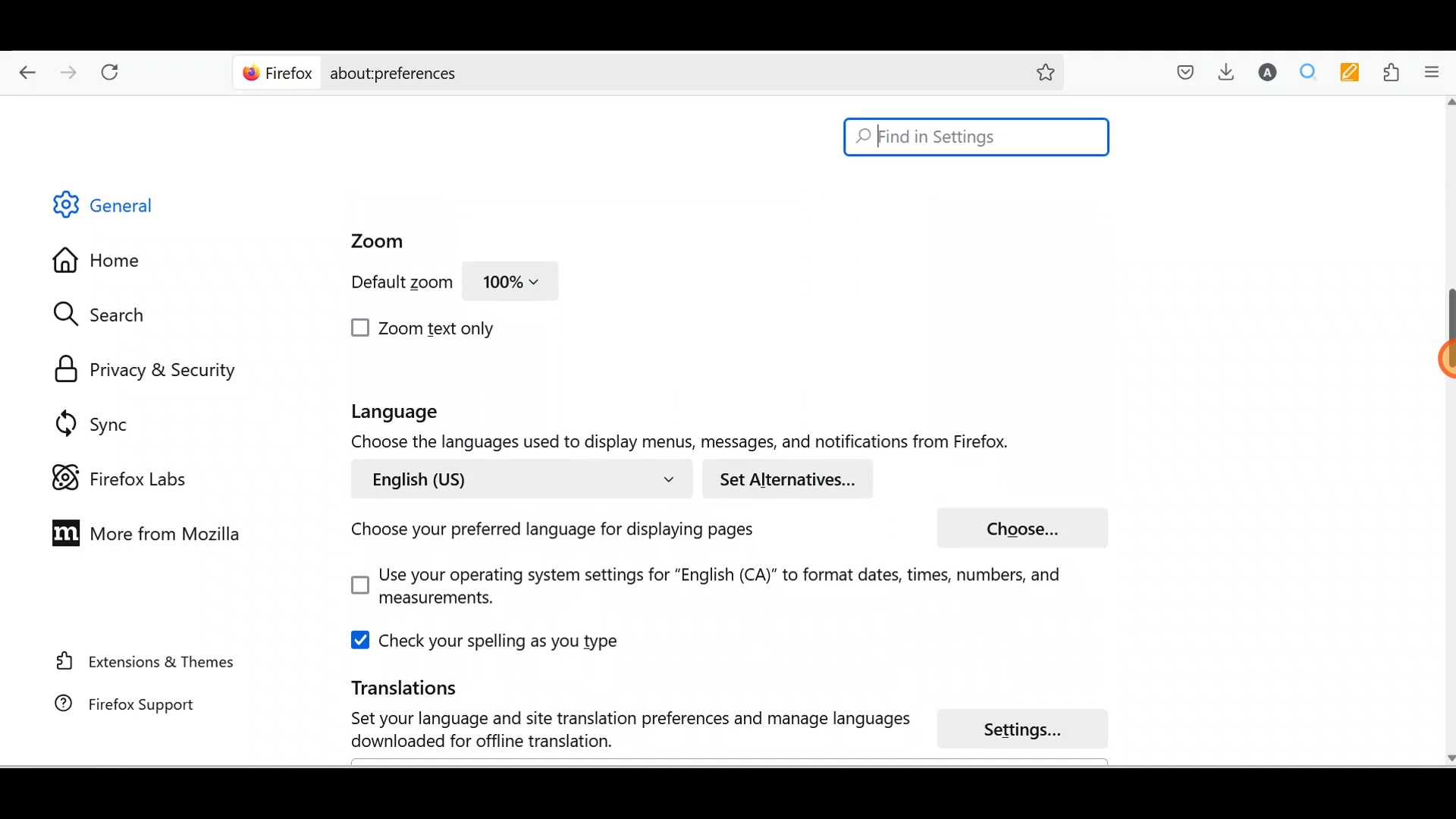 The width and height of the screenshot is (1456, 819). I want to click on Save to pocket, so click(1180, 73).